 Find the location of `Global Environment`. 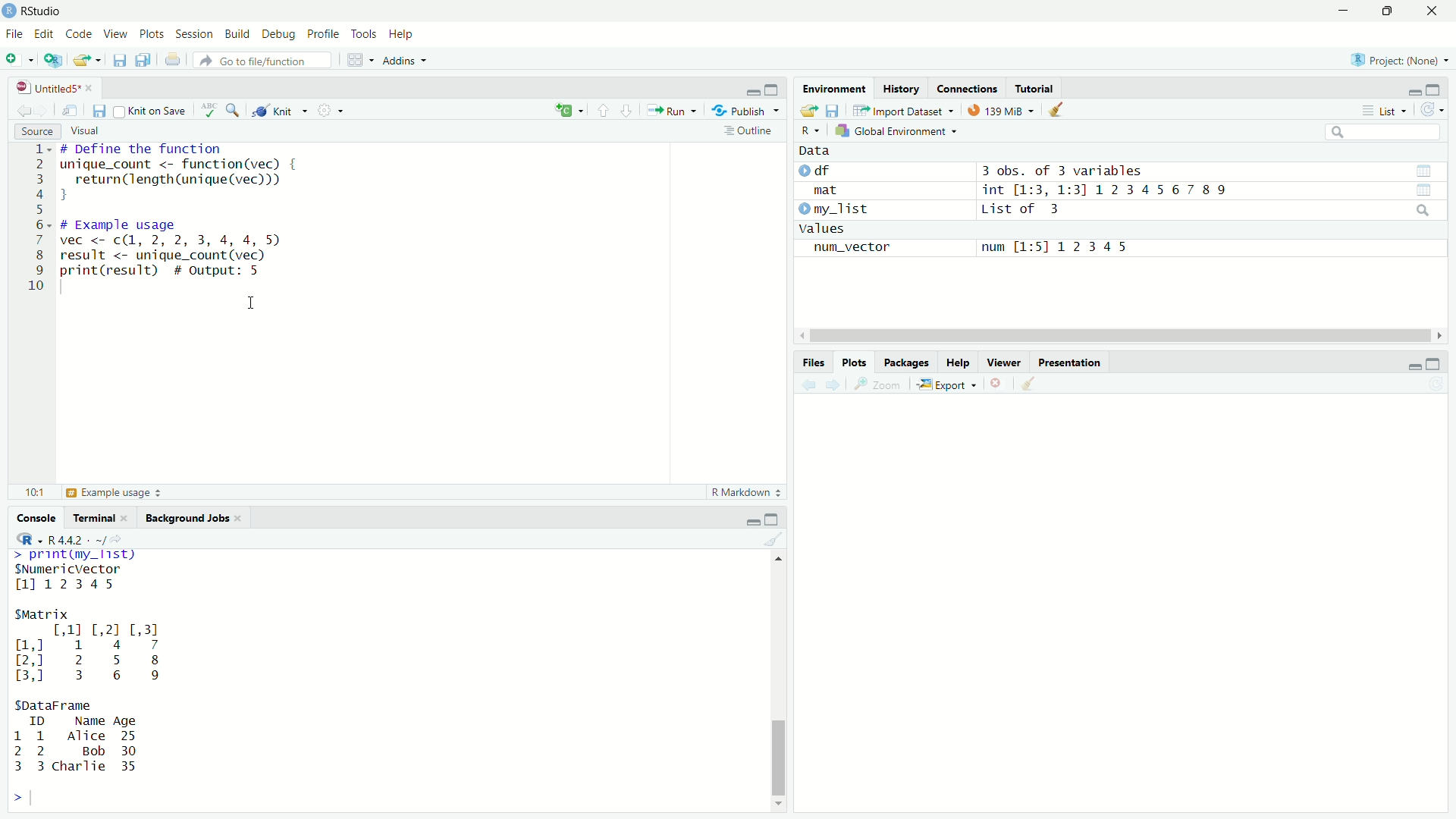

Global Environment is located at coordinates (895, 131).